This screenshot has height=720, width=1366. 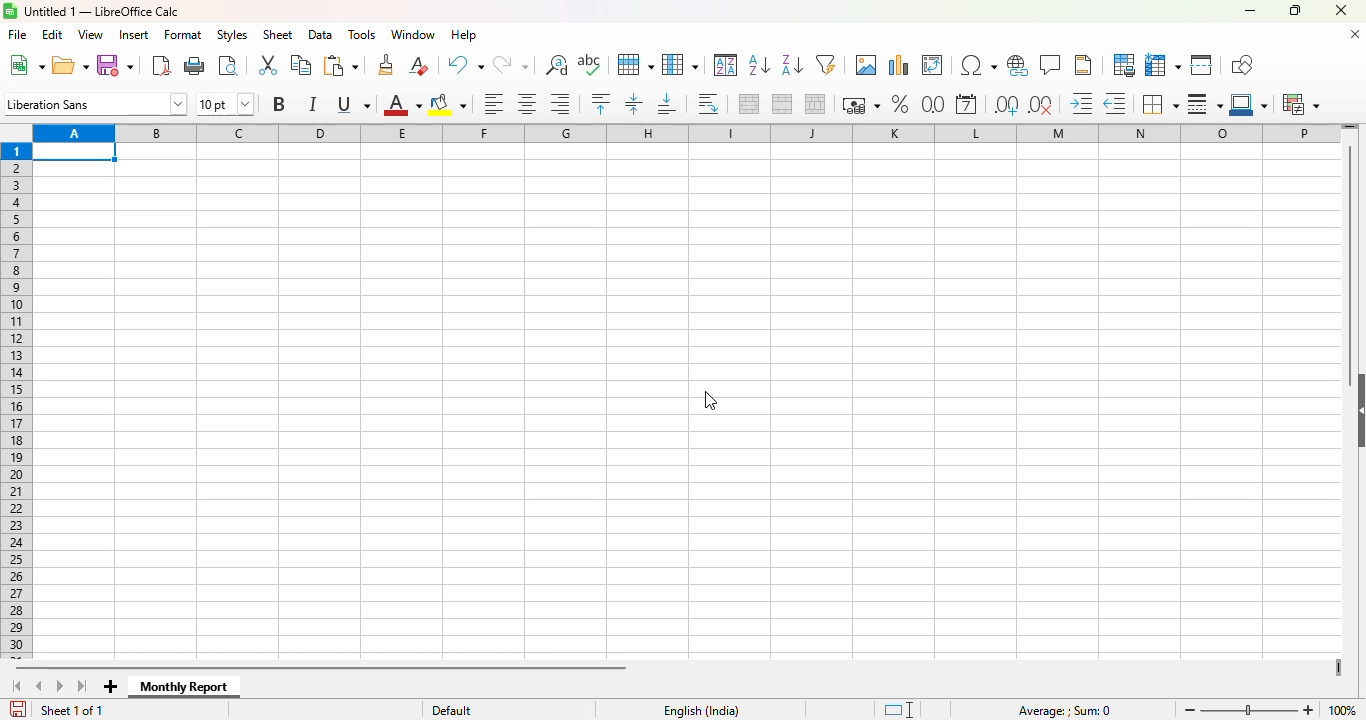 I want to click on decrease indent, so click(x=1114, y=103).